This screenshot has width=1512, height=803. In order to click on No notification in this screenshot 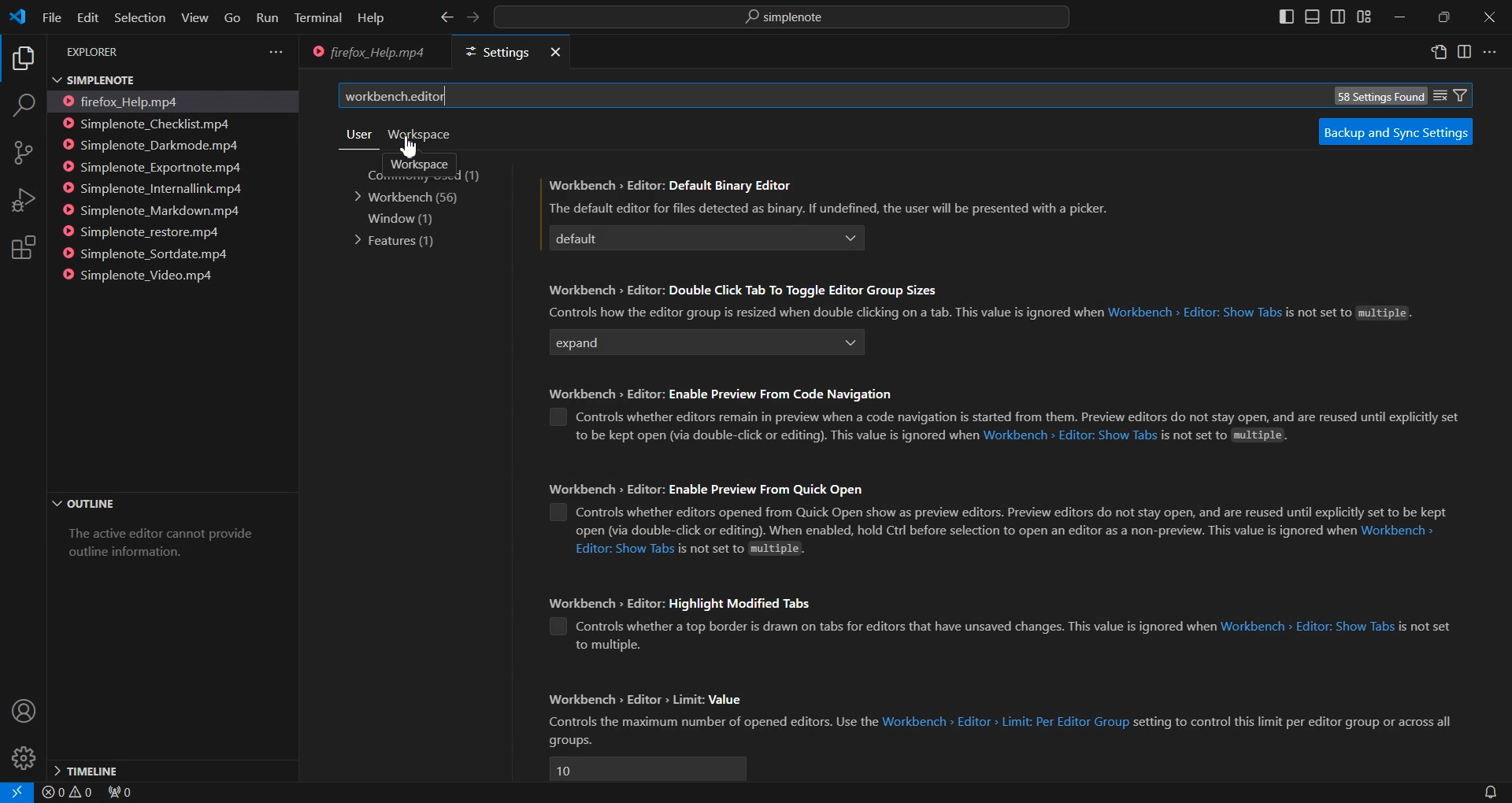, I will do `click(1488, 792)`.